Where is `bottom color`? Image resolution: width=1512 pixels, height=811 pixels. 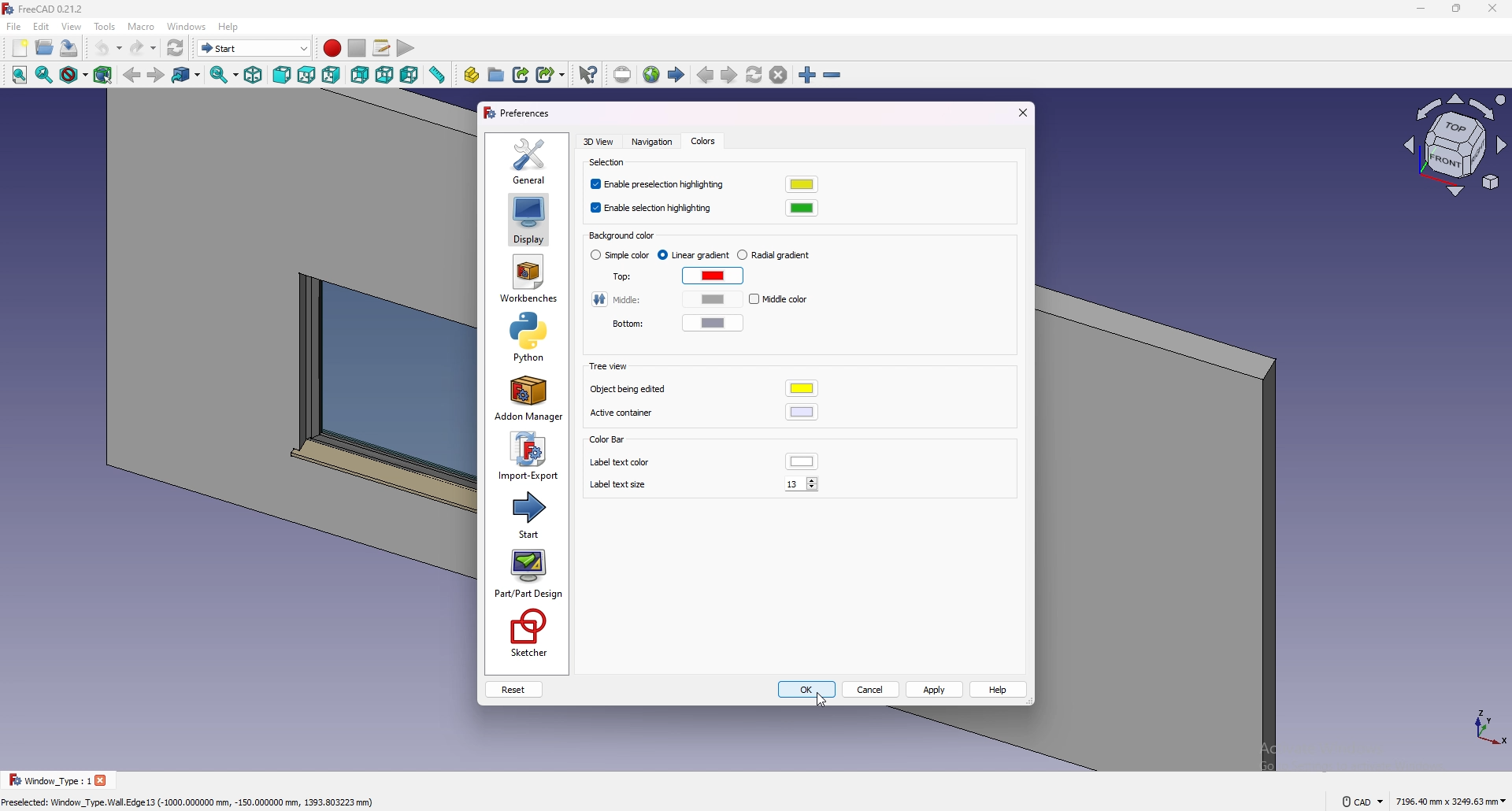 bottom color is located at coordinates (715, 323).